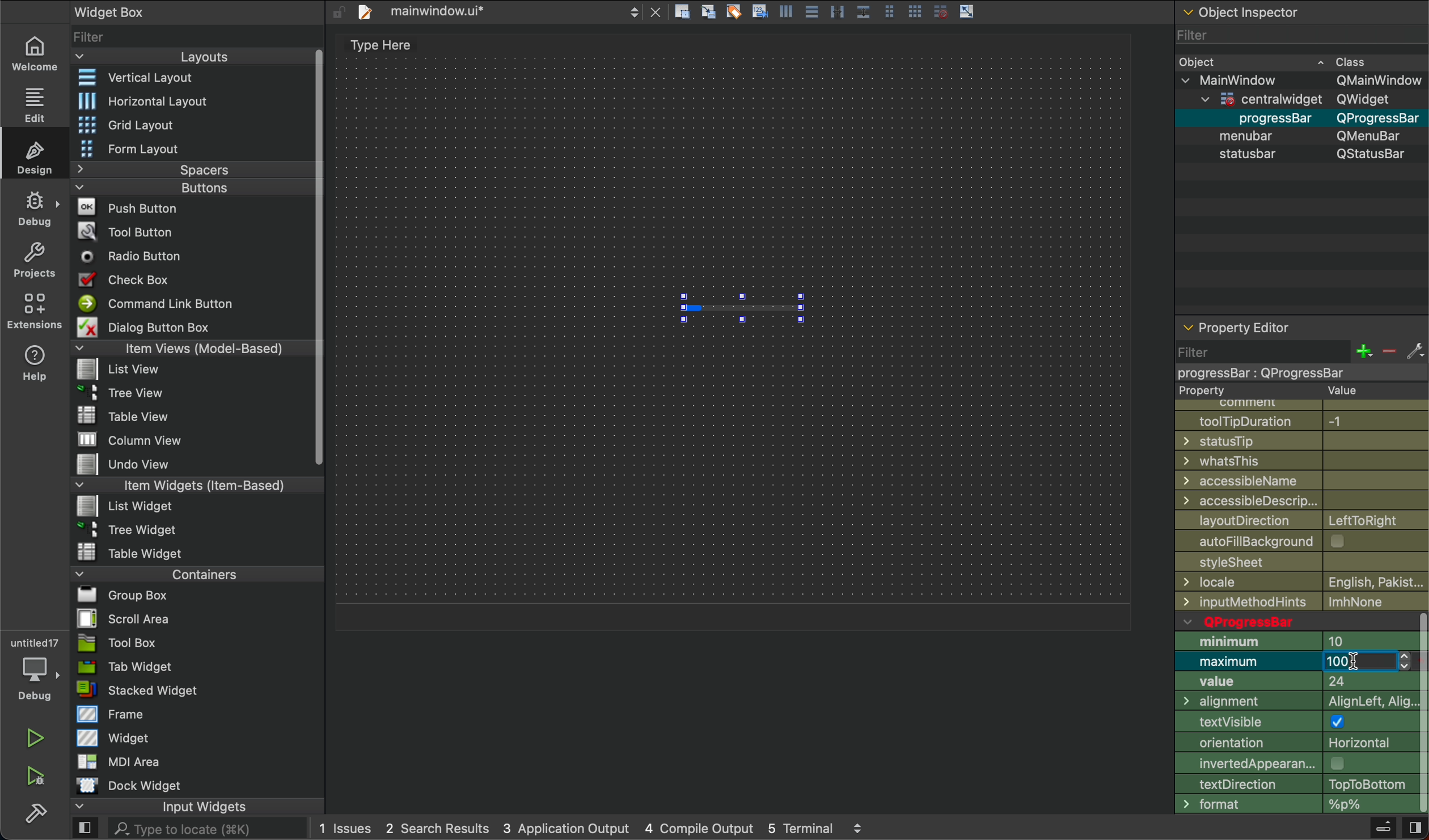  Describe the element at coordinates (116, 595) in the screenshot. I see `File` at that location.